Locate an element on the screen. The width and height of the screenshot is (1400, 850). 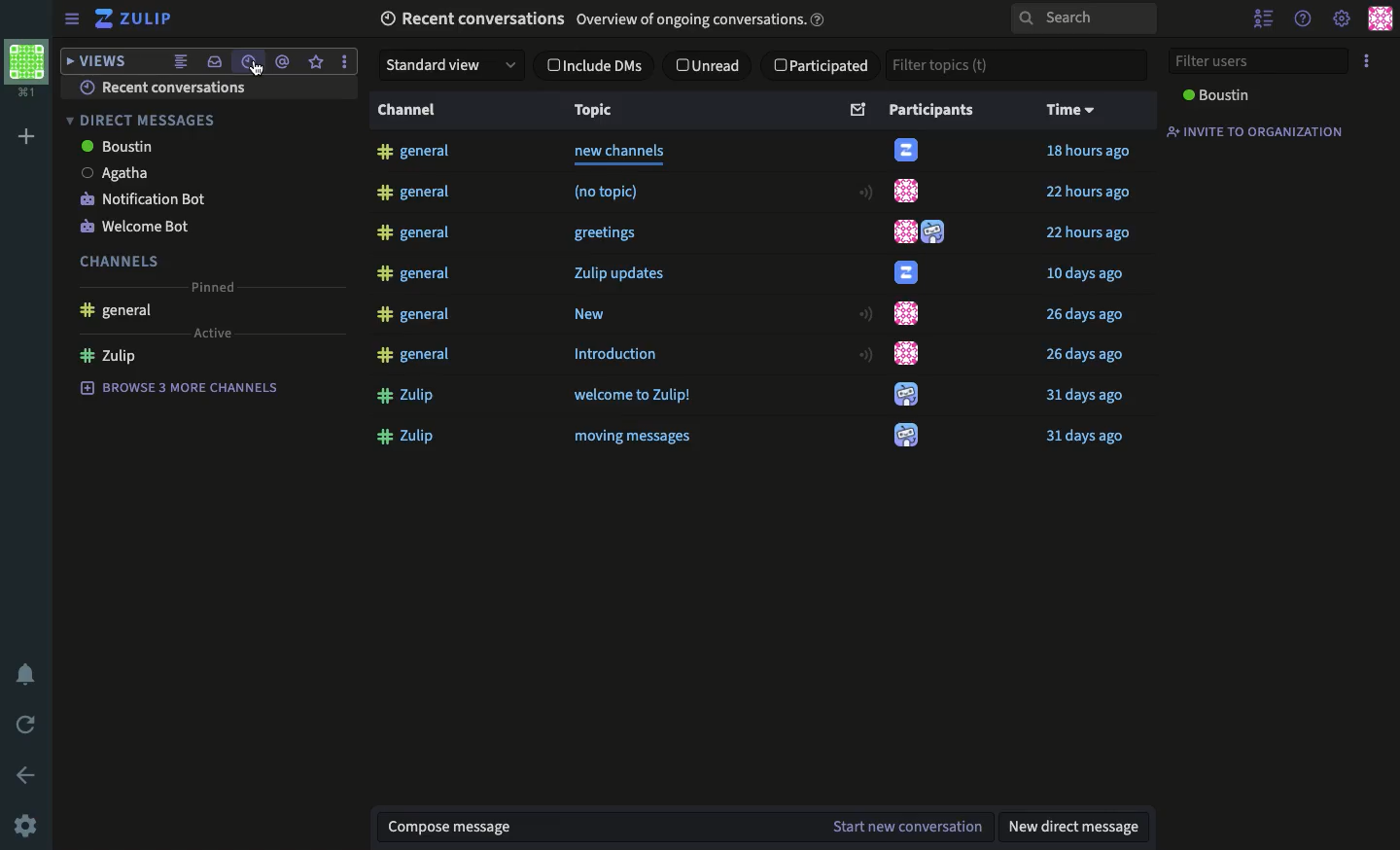
general is located at coordinates (115, 313).